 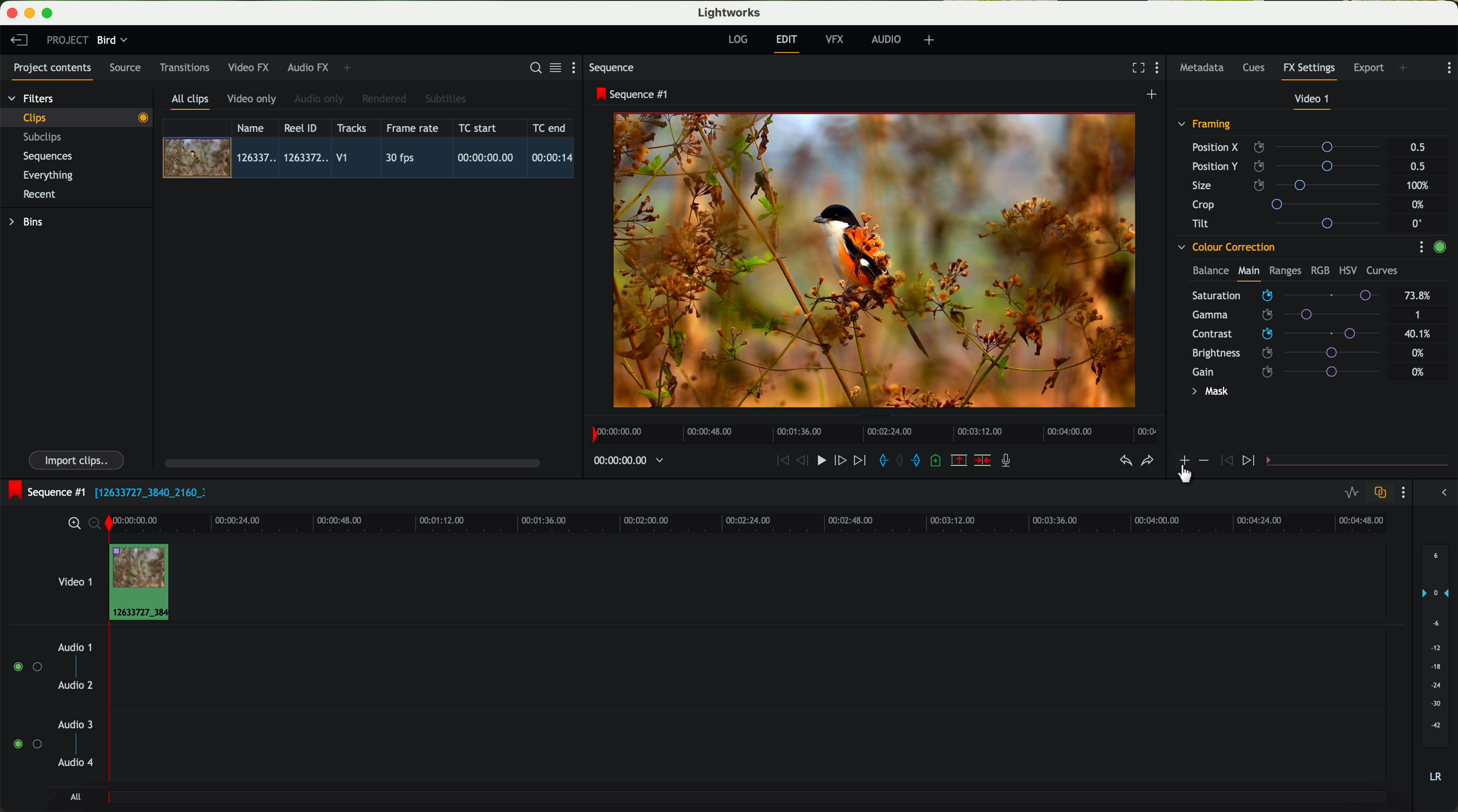 What do you see at coordinates (191, 102) in the screenshot?
I see `all clips` at bounding box center [191, 102].